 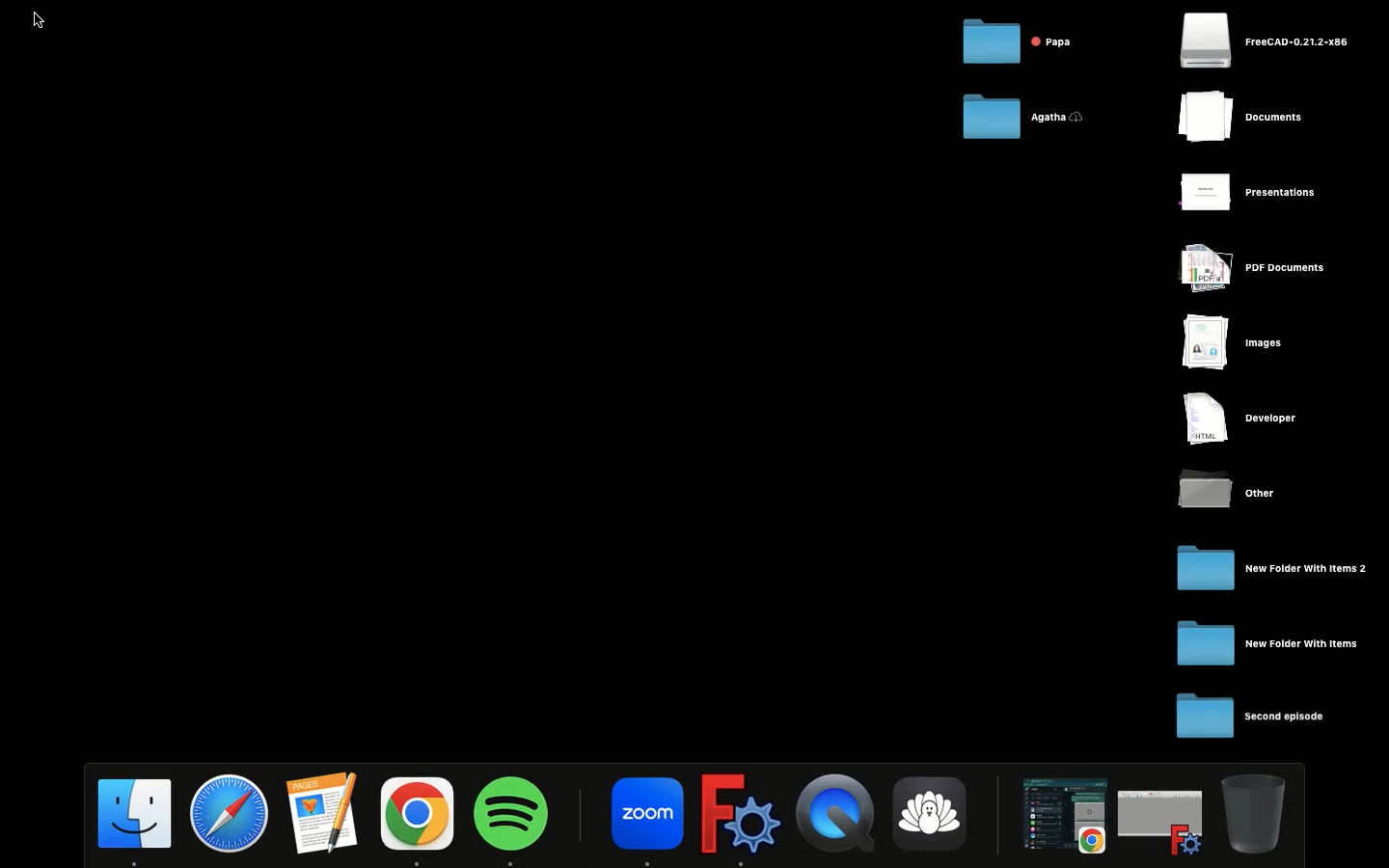 What do you see at coordinates (1264, 41) in the screenshot?
I see `FreeCAD` at bounding box center [1264, 41].